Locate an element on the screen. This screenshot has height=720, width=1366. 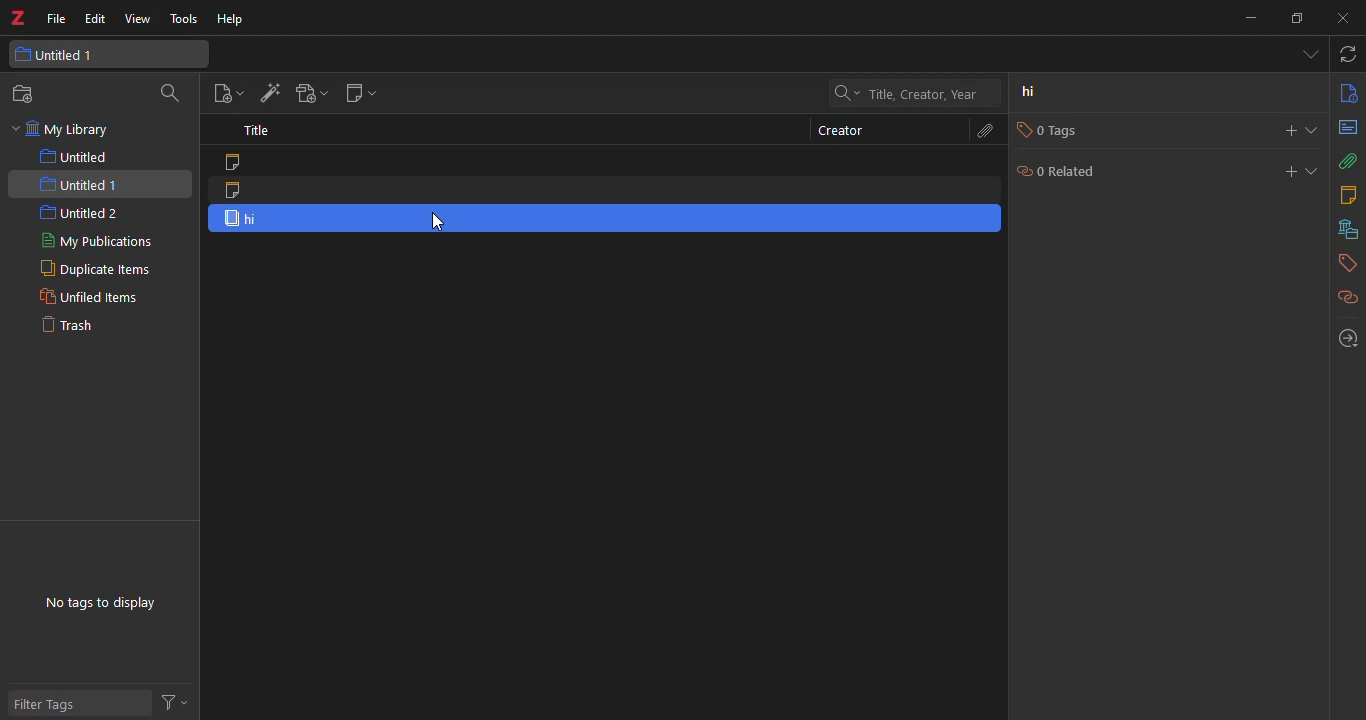
duplicate items is located at coordinates (93, 269).